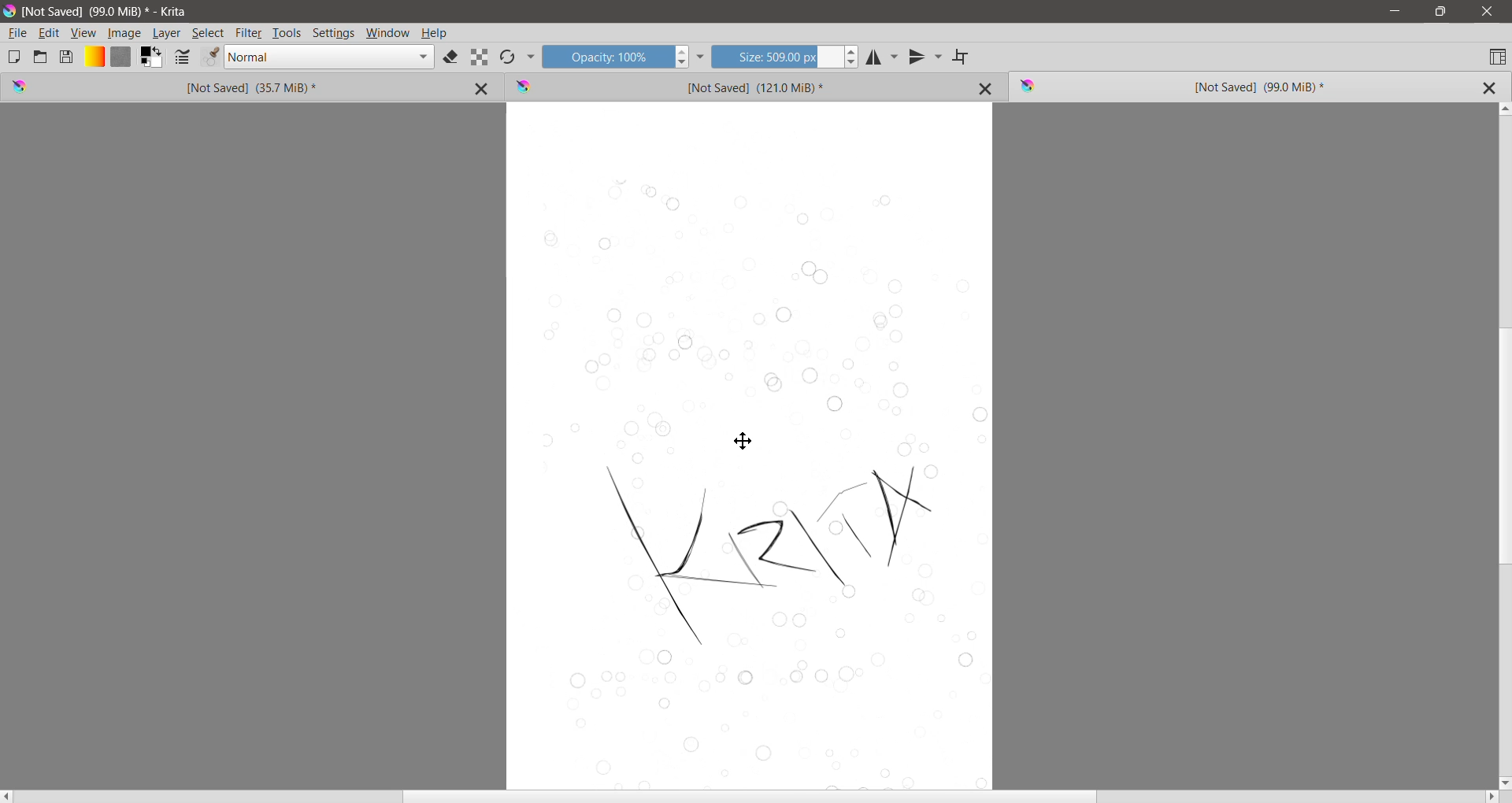  What do you see at coordinates (209, 57) in the screenshot?
I see `Edit Brush Preset` at bounding box center [209, 57].